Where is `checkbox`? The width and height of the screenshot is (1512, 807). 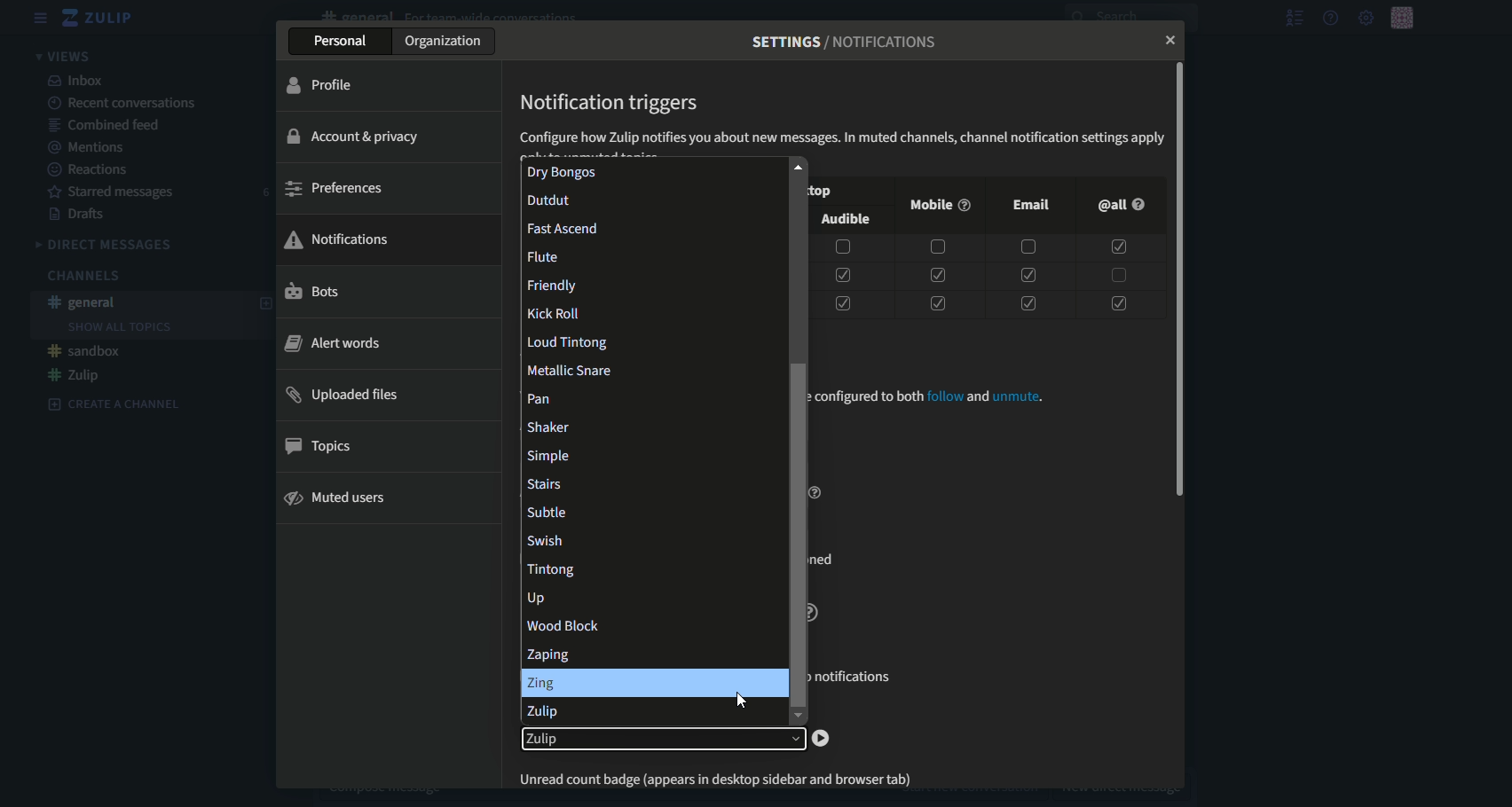
checkbox is located at coordinates (1026, 274).